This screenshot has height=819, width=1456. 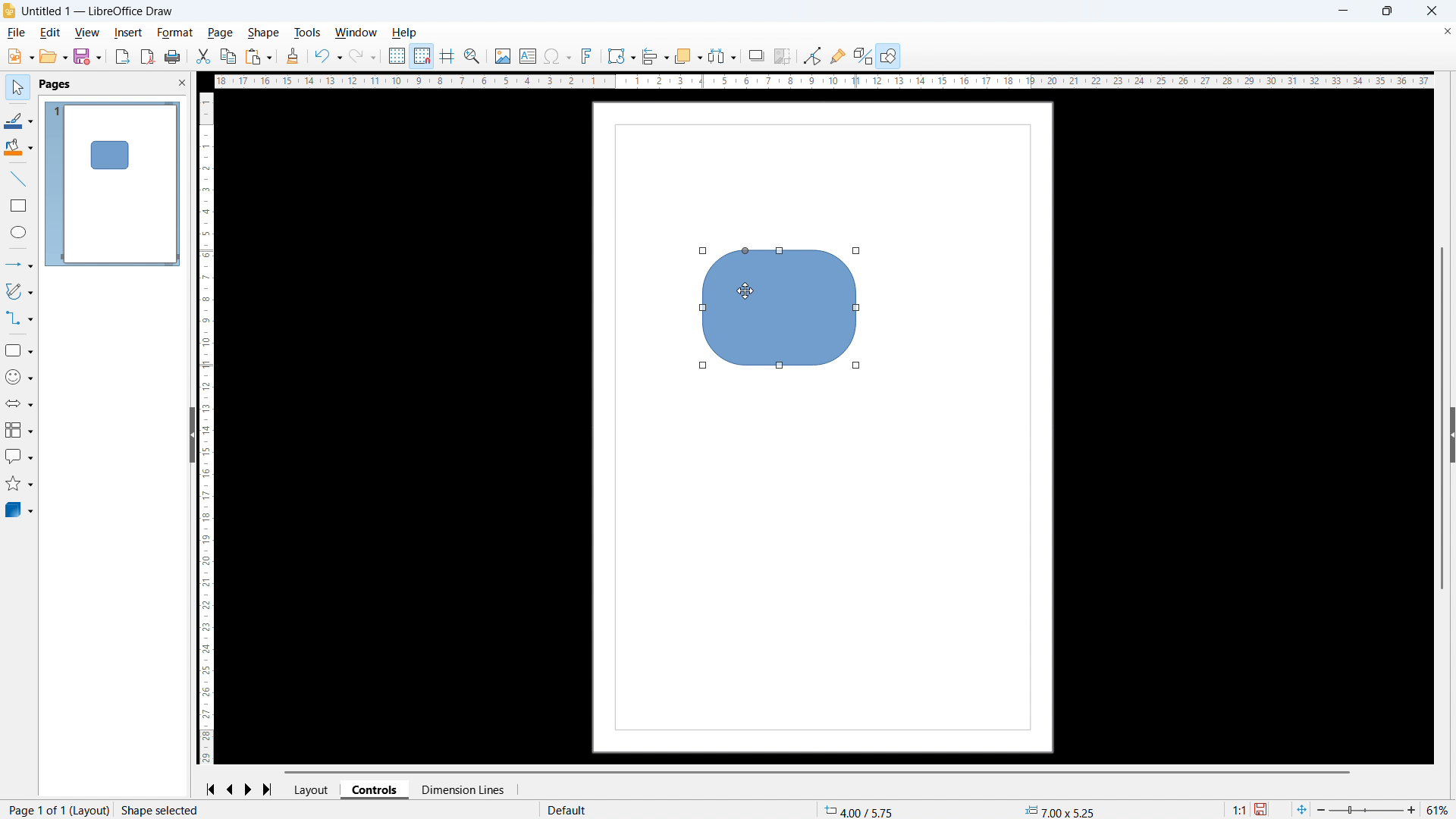 I want to click on Transformations , so click(x=621, y=55).